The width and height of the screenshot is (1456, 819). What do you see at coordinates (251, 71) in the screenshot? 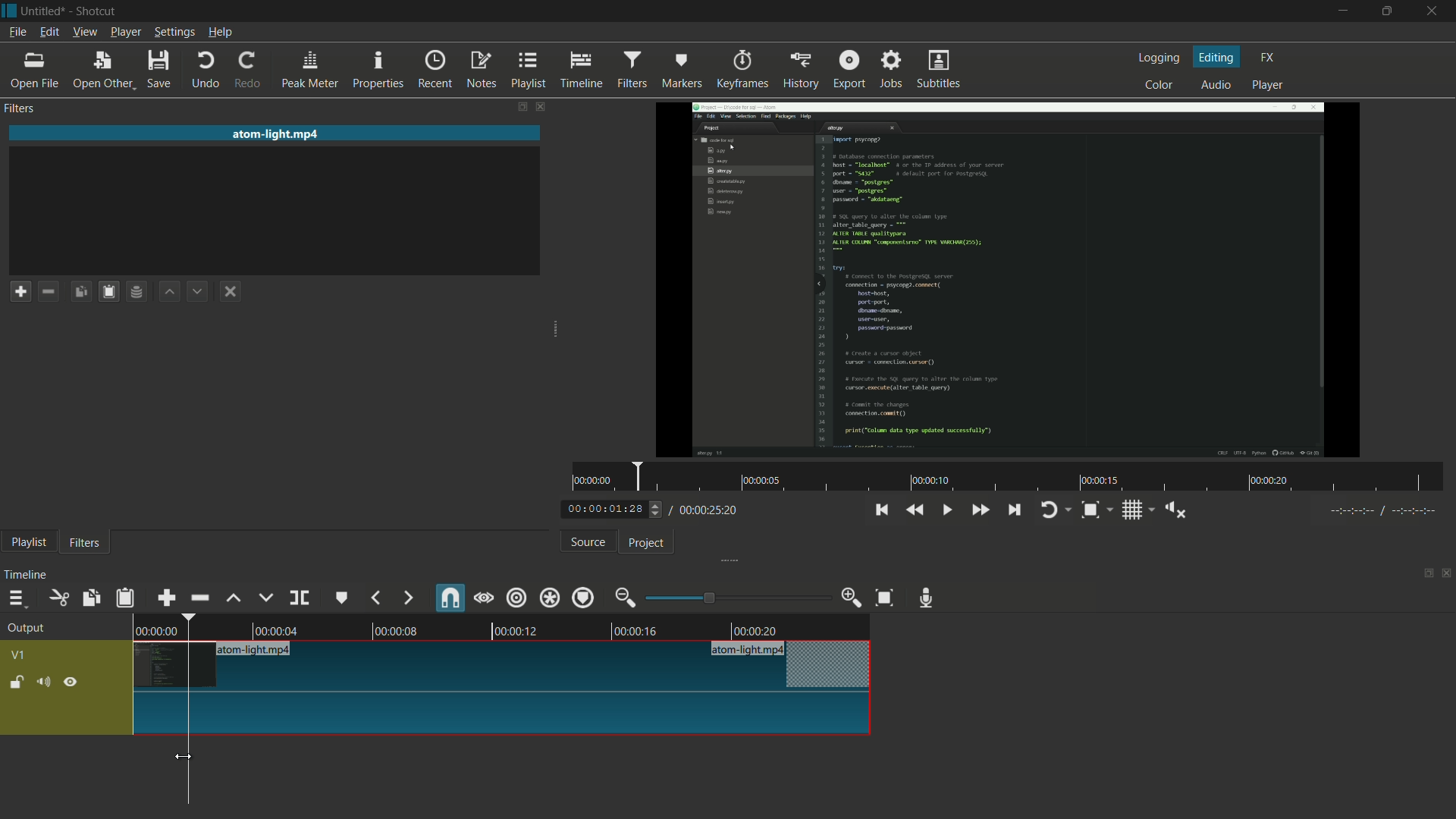
I see `redo` at bounding box center [251, 71].